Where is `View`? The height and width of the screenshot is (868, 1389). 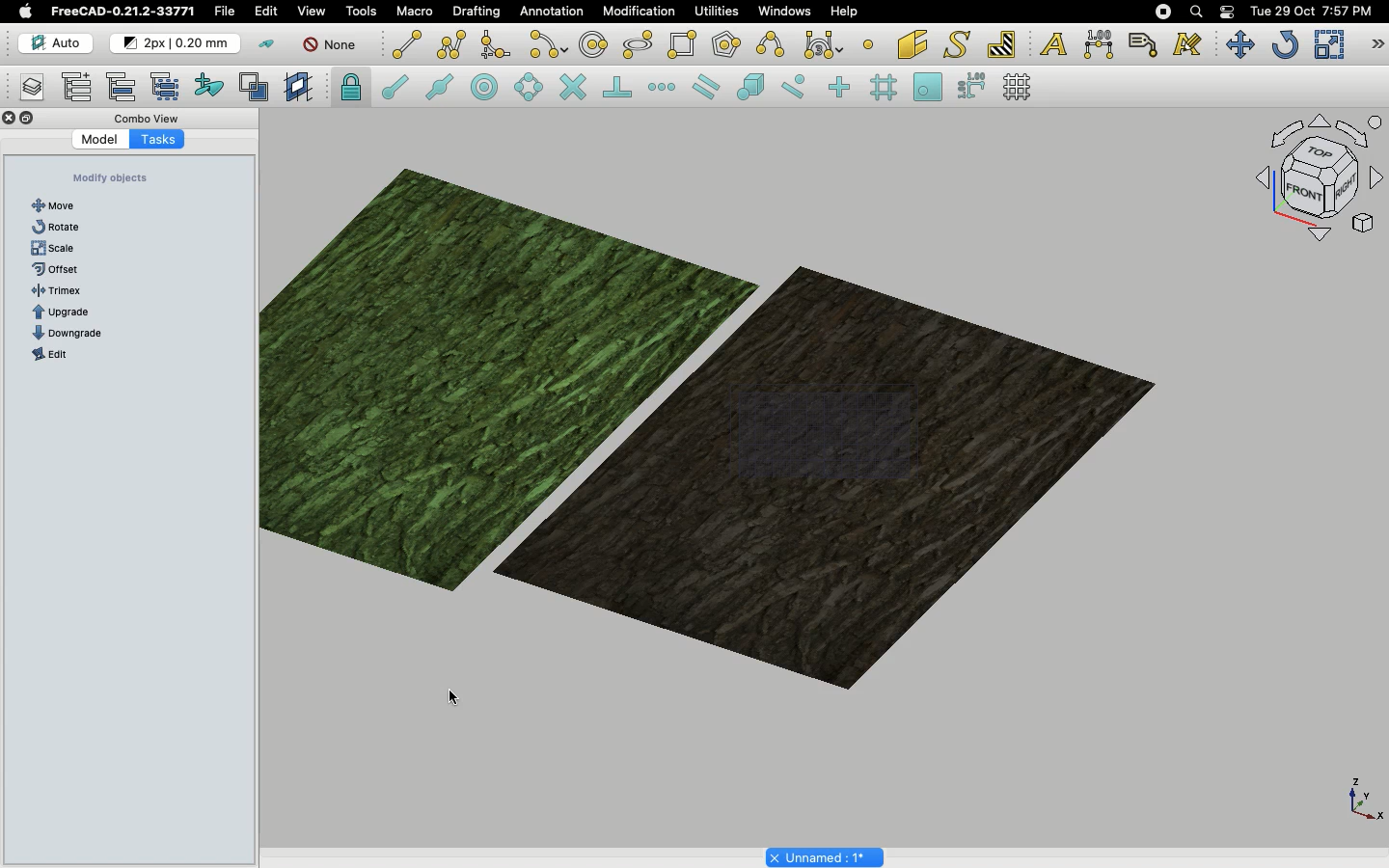 View is located at coordinates (312, 10).